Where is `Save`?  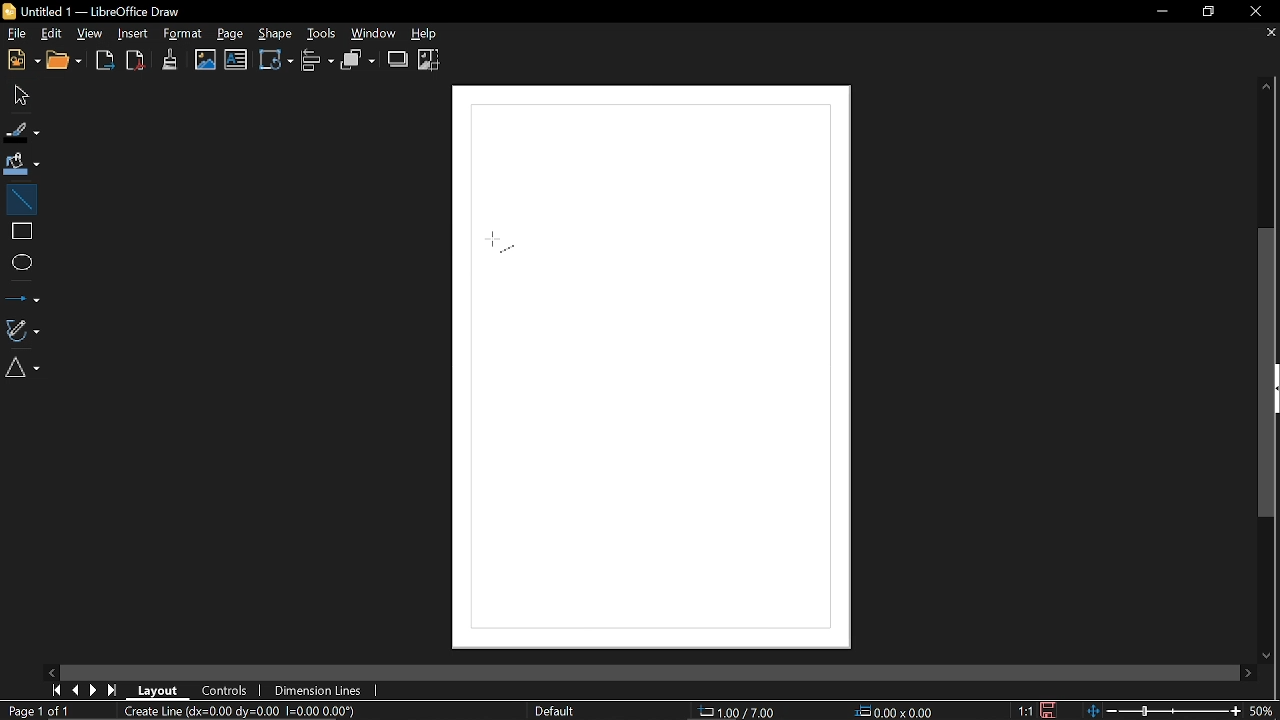 Save is located at coordinates (1048, 711).